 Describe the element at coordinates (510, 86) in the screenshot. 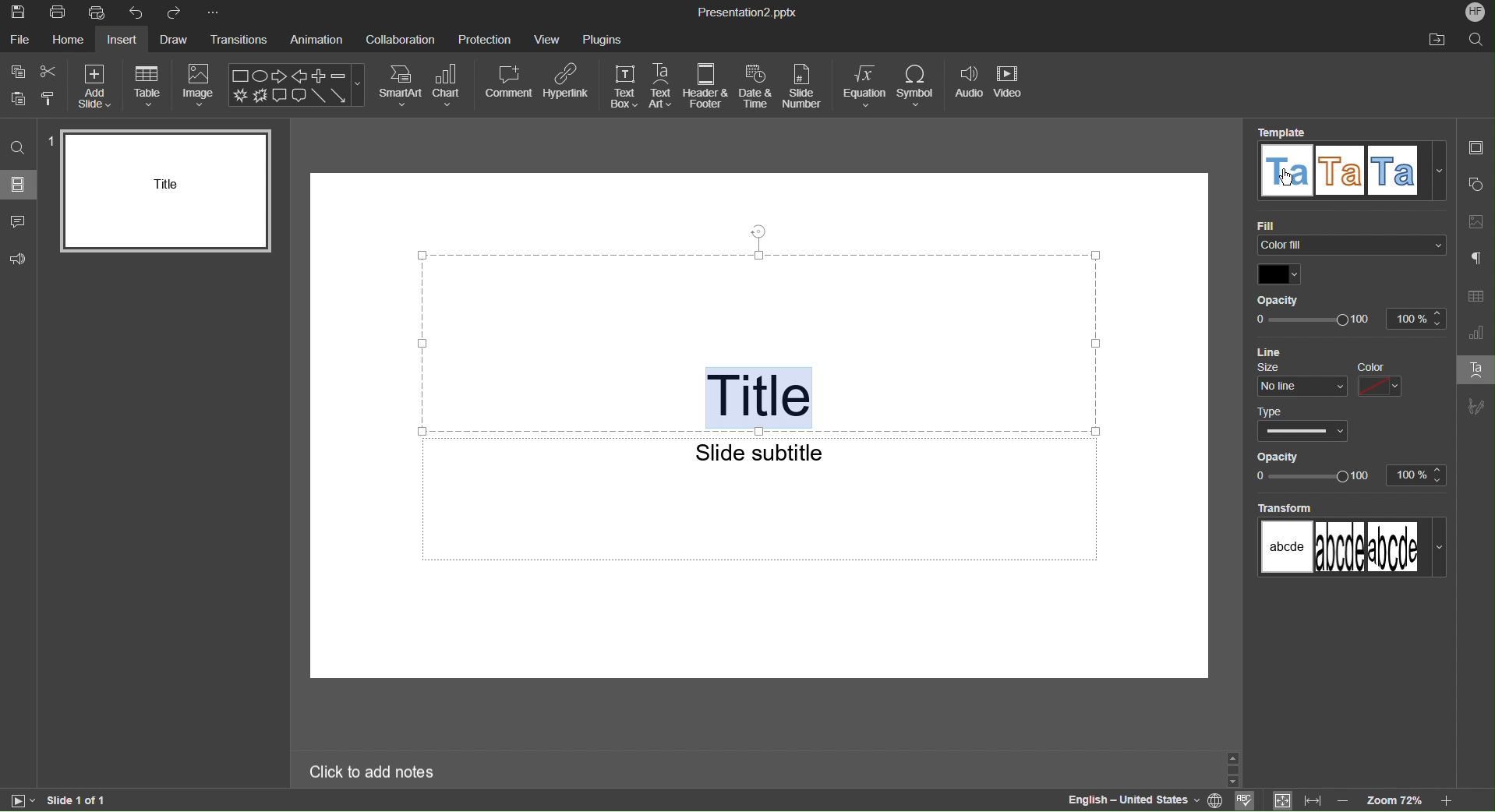

I see `Comment` at that location.